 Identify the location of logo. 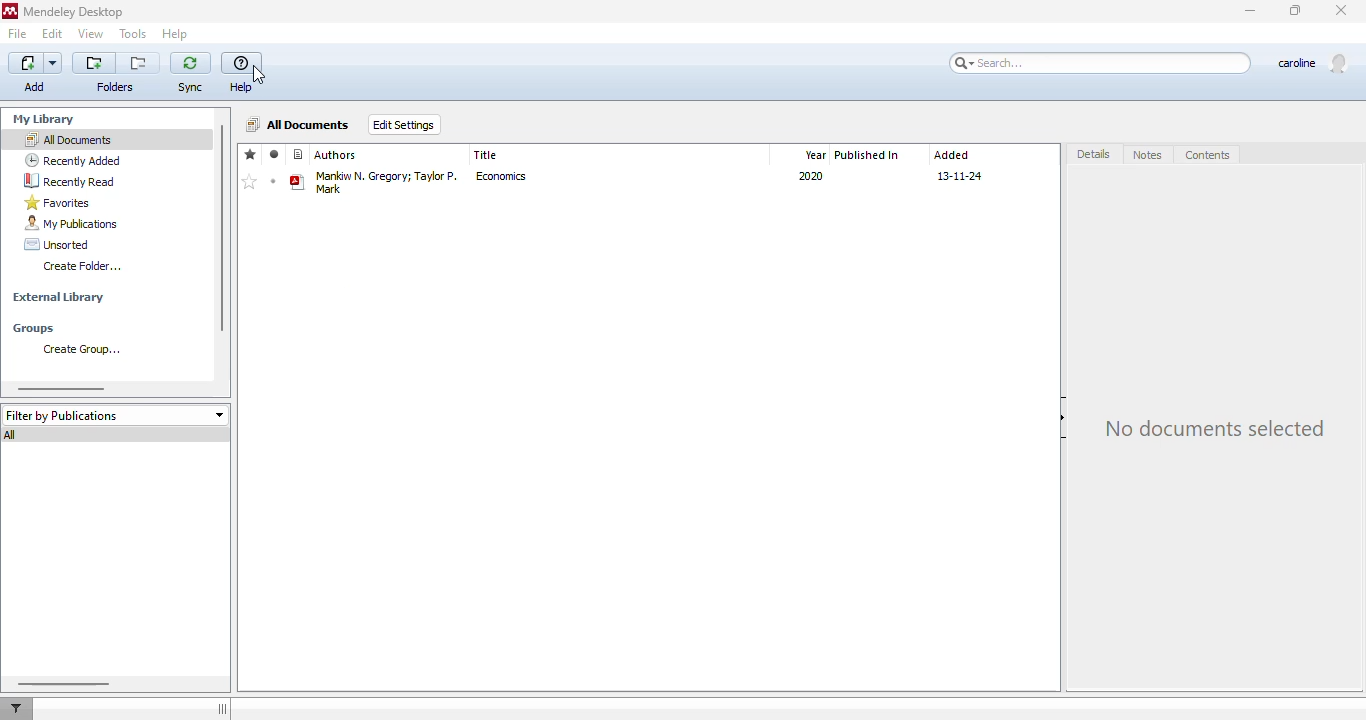
(10, 10).